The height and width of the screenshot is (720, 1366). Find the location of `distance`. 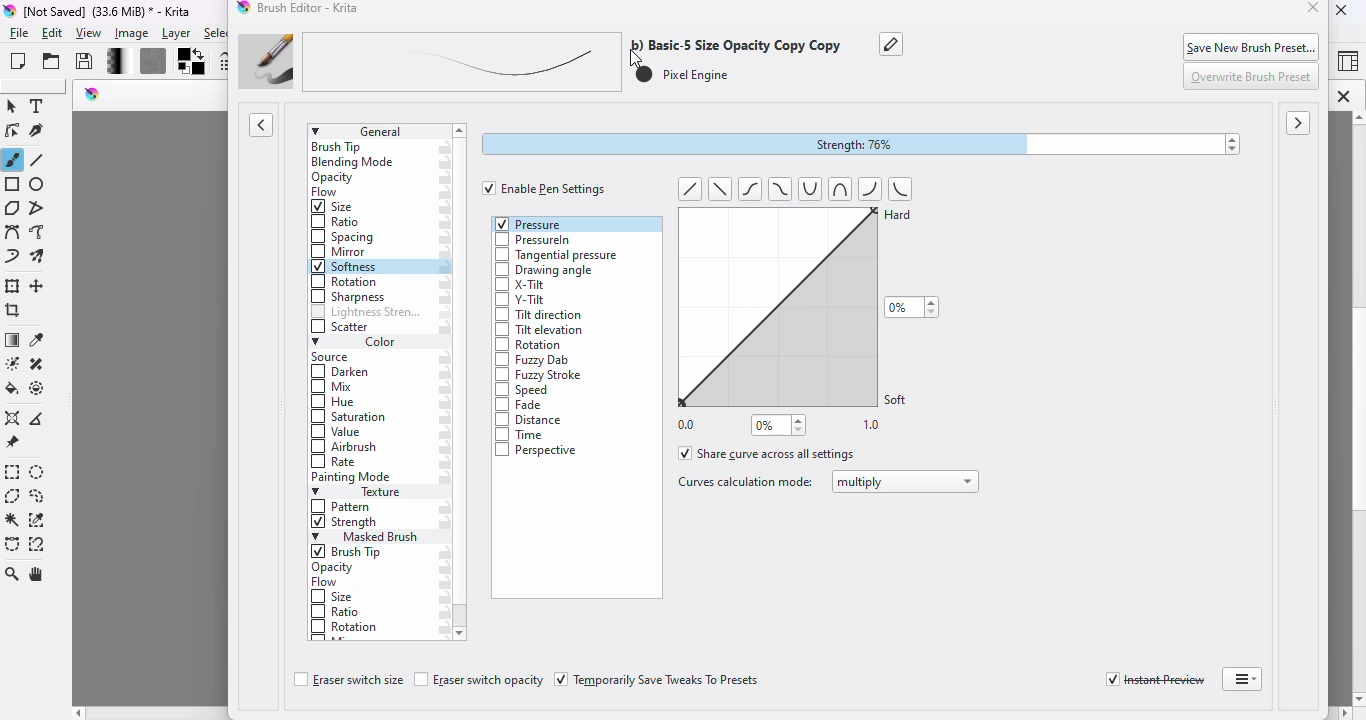

distance is located at coordinates (532, 421).